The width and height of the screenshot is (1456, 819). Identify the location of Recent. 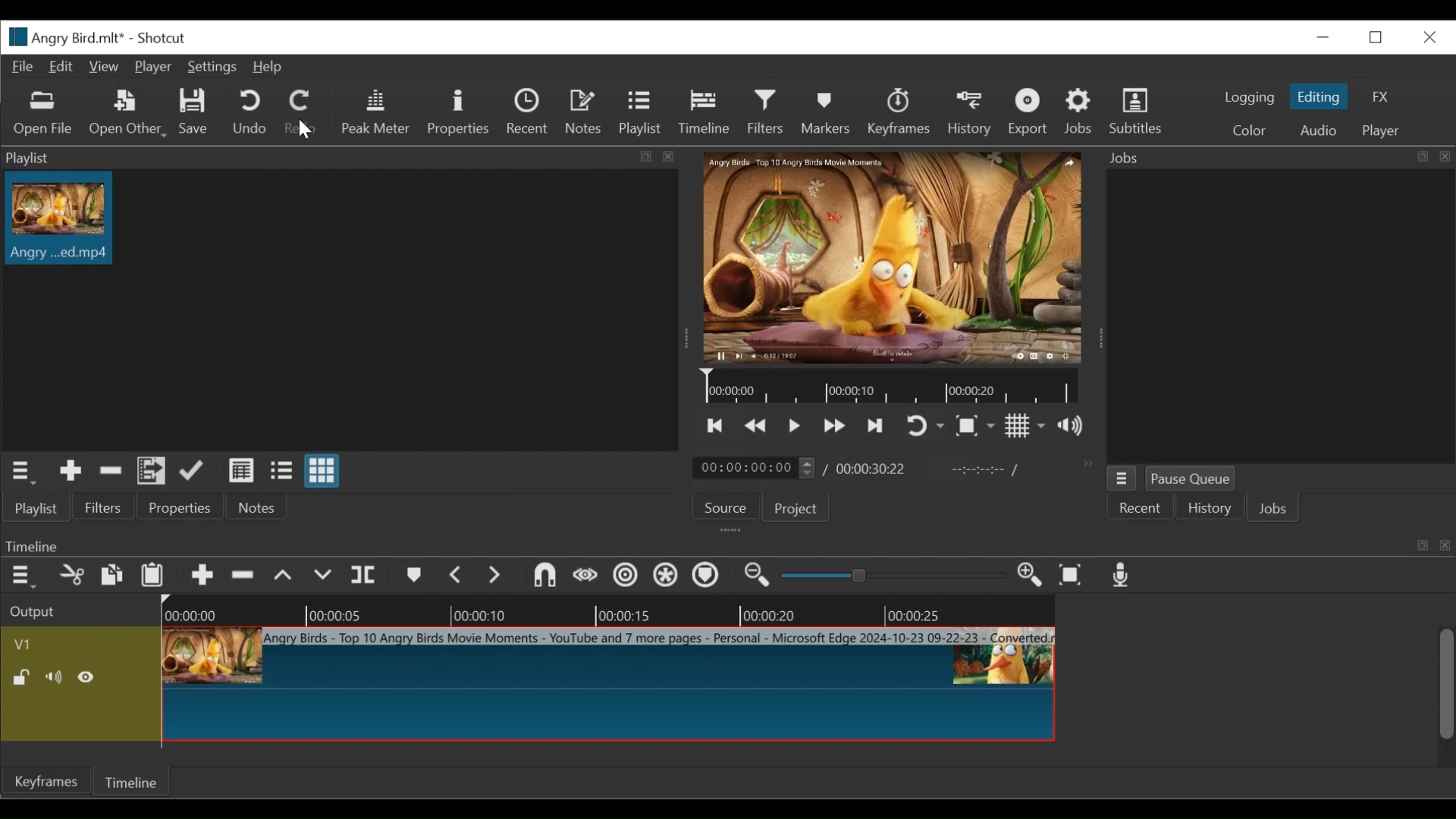
(529, 111).